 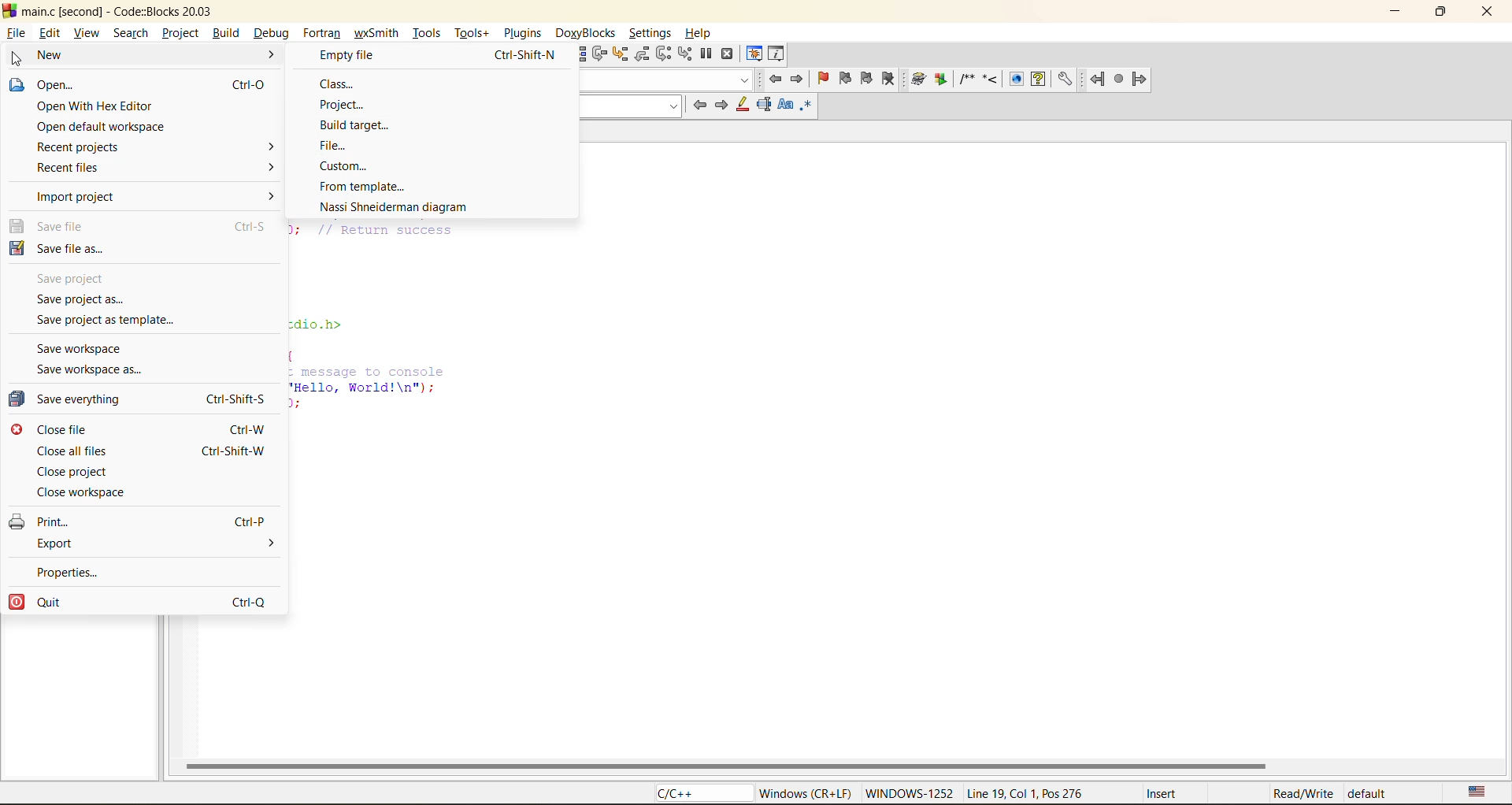 I want to click on clear bookmark, so click(x=889, y=80).